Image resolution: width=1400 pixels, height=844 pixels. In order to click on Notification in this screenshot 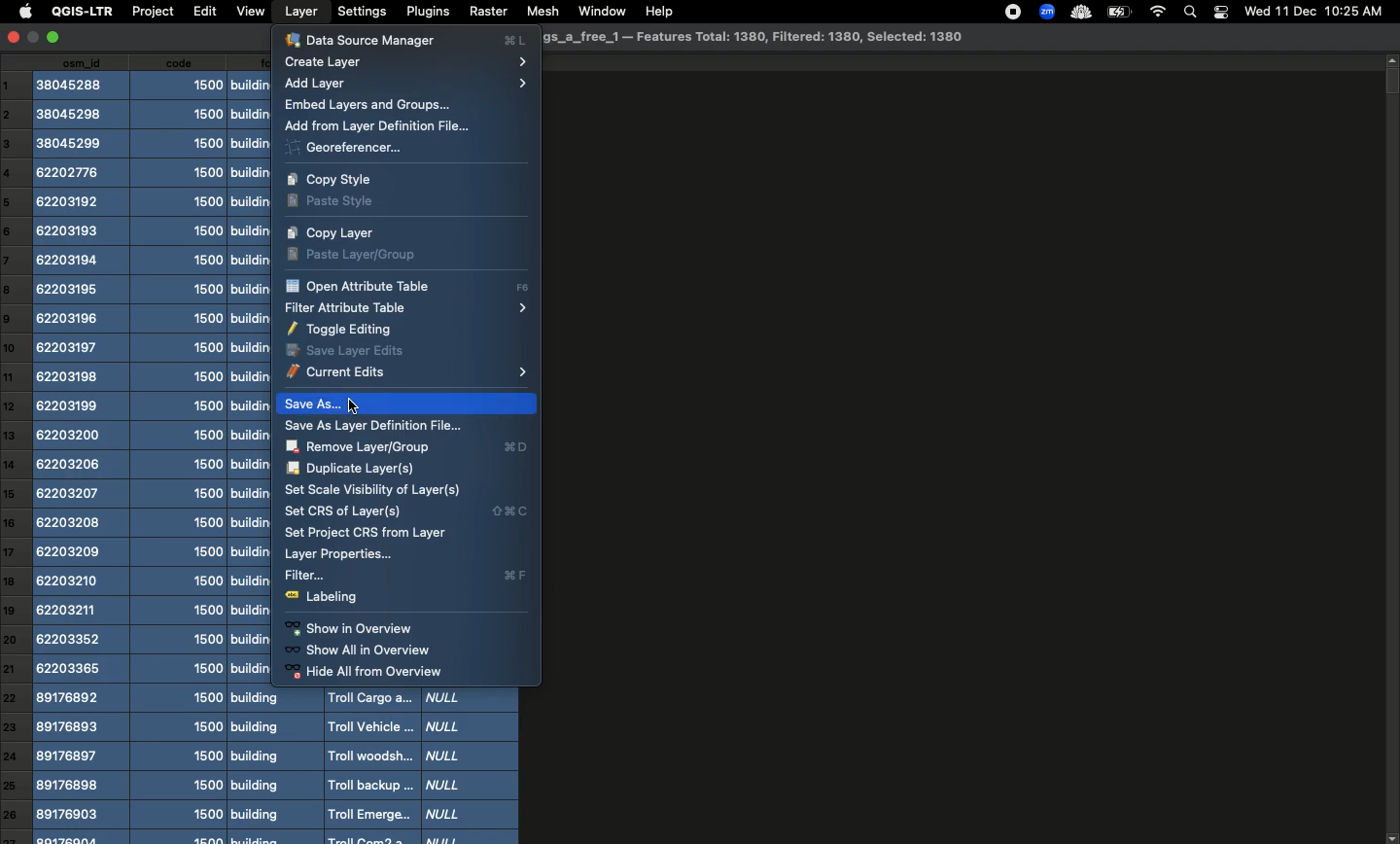, I will do `click(1220, 11)`.